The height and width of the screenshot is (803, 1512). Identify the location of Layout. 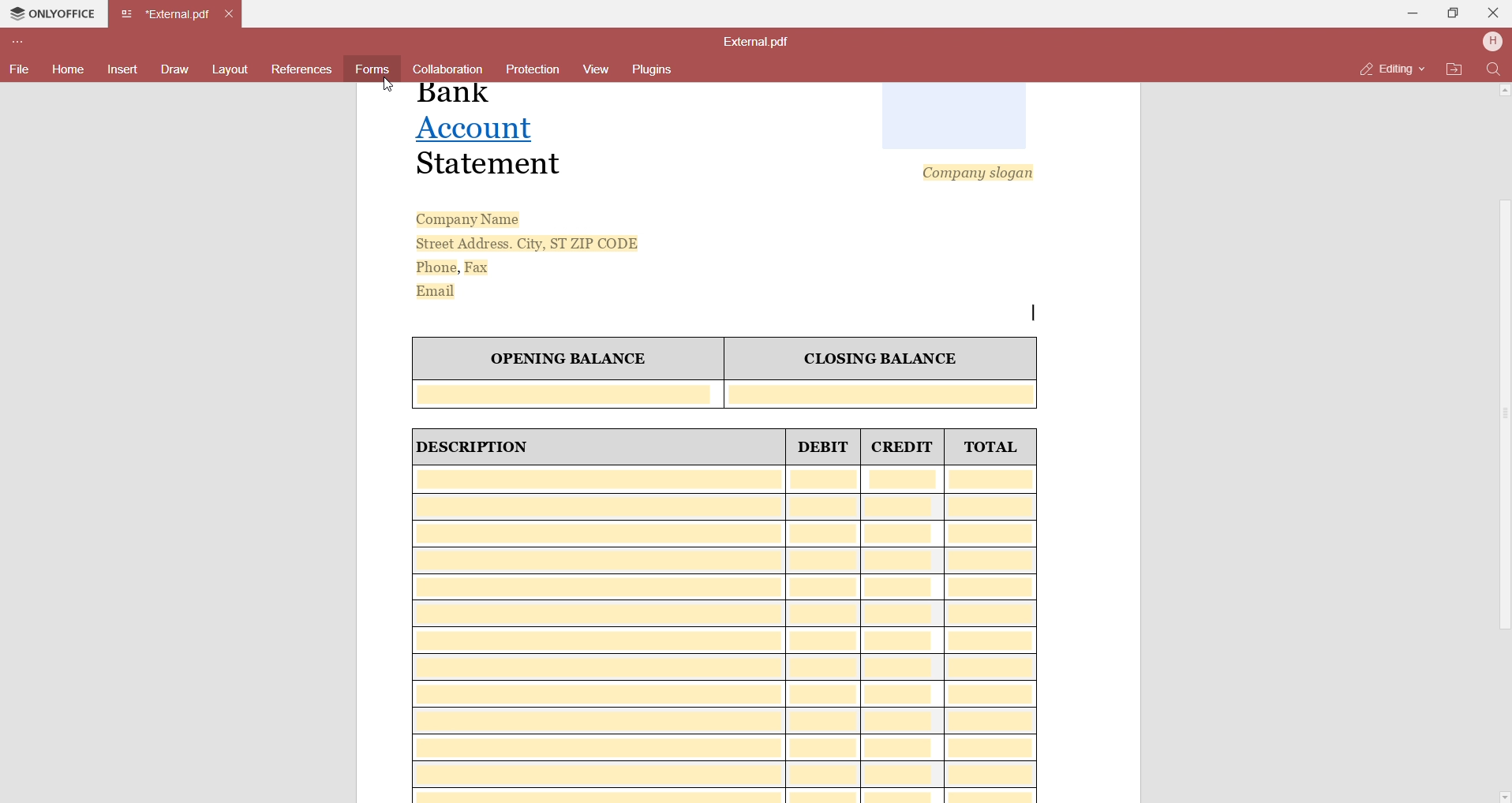
(231, 69).